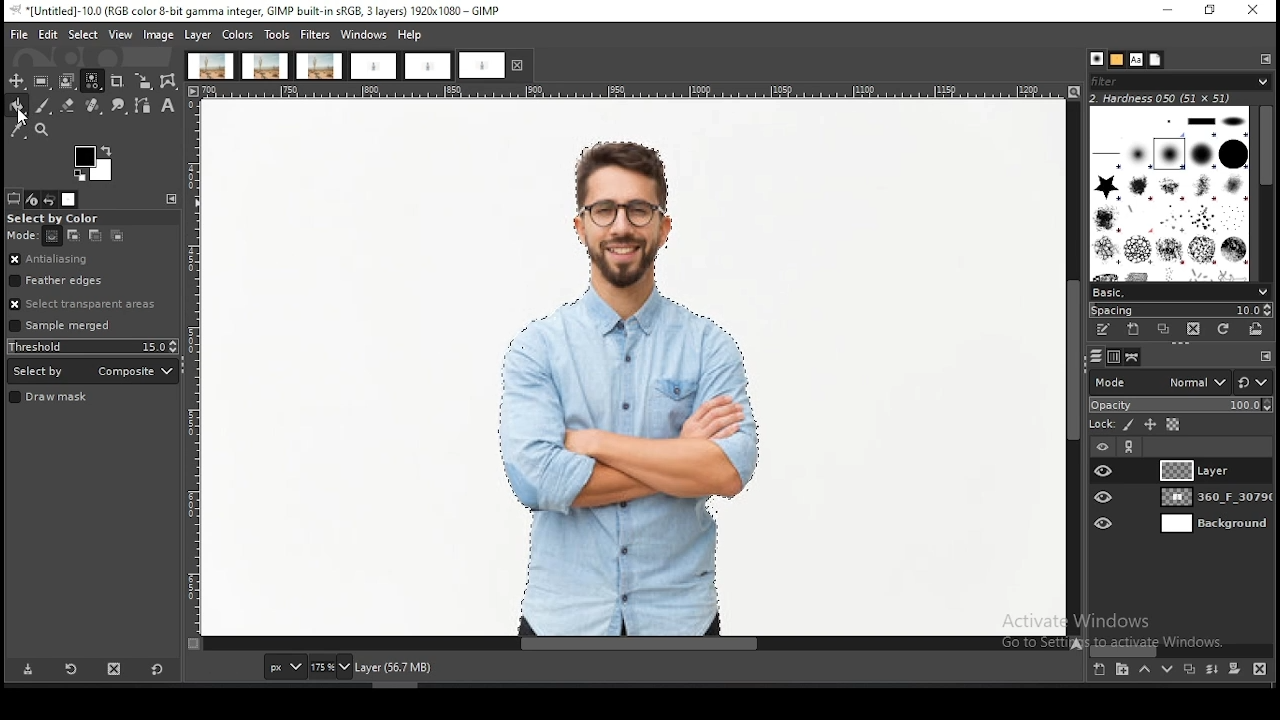 This screenshot has width=1280, height=720. I want to click on project tab, so click(495, 65).